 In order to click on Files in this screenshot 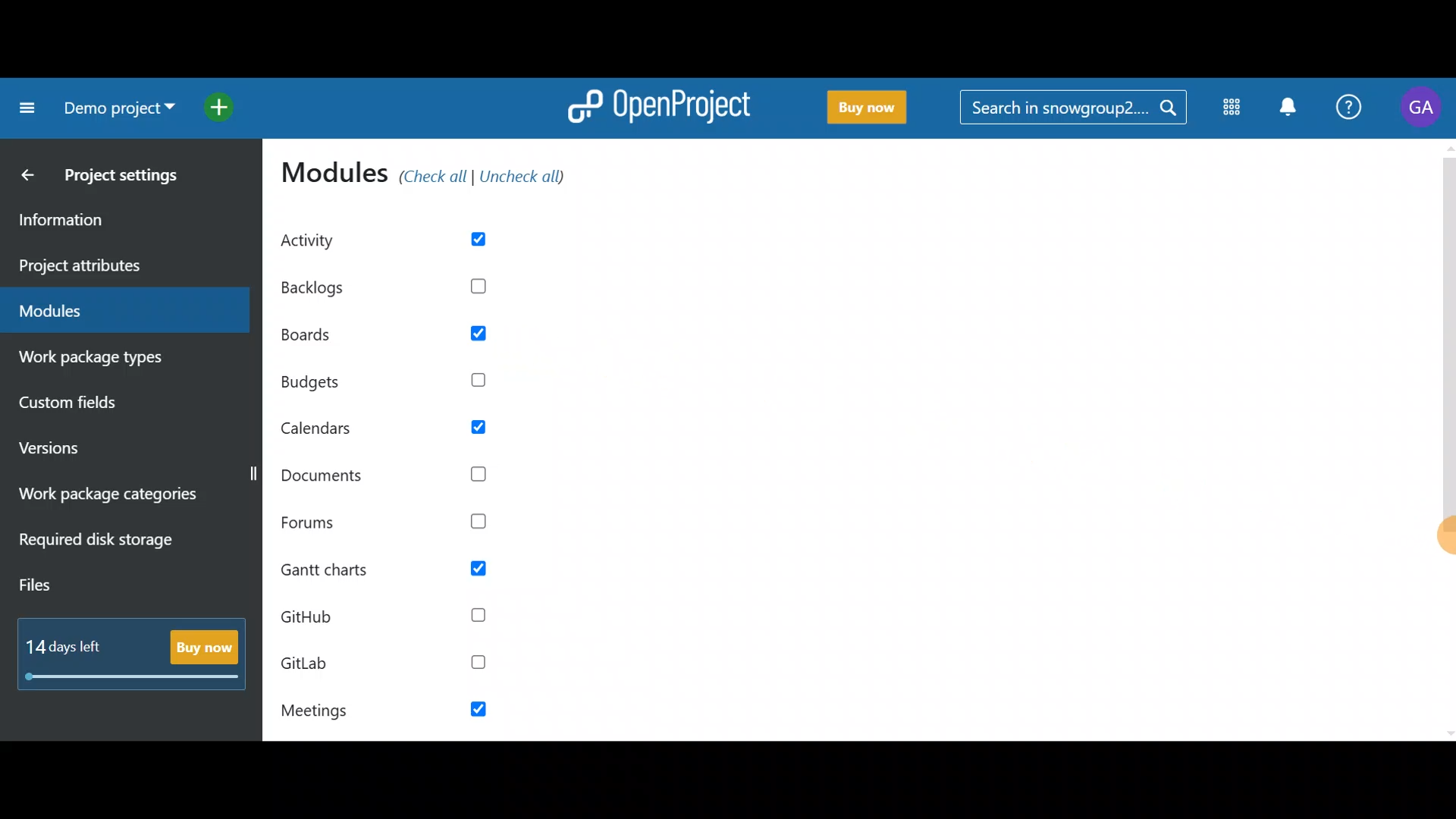, I will do `click(79, 588)`.